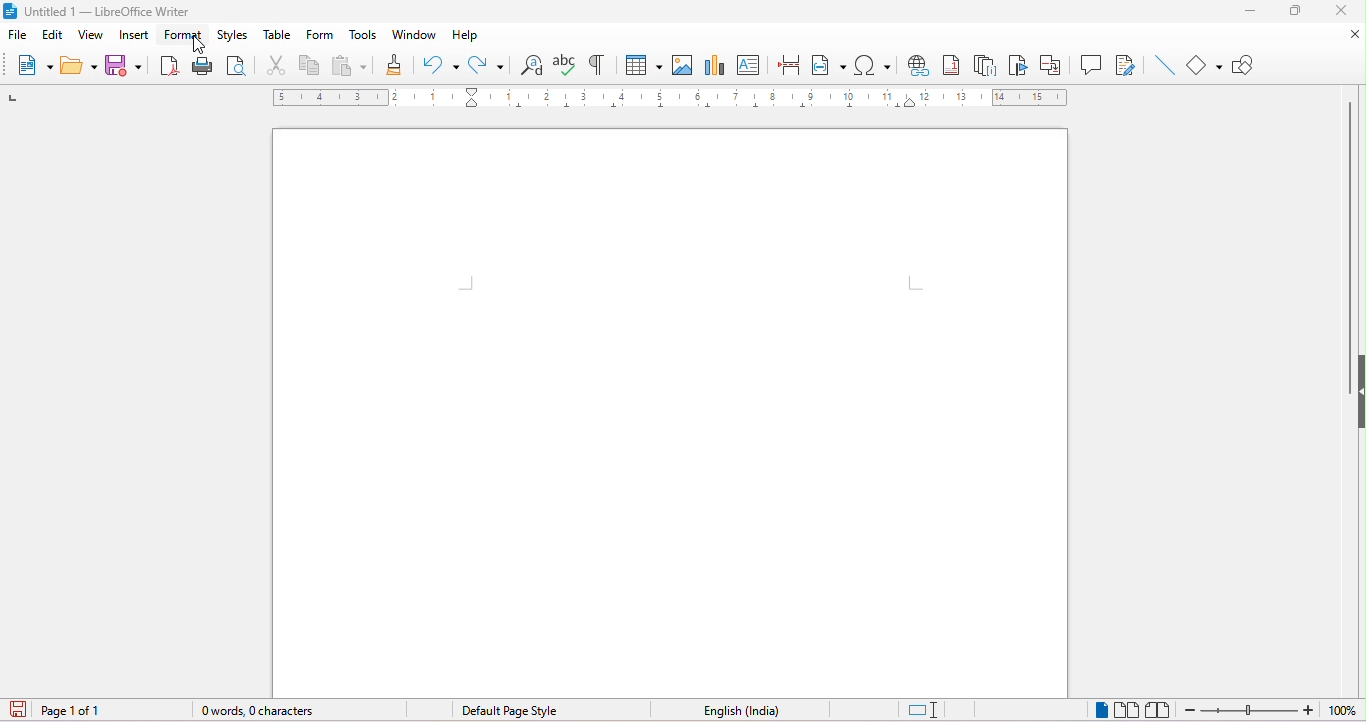  What do you see at coordinates (396, 63) in the screenshot?
I see `clone formatting` at bounding box center [396, 63].